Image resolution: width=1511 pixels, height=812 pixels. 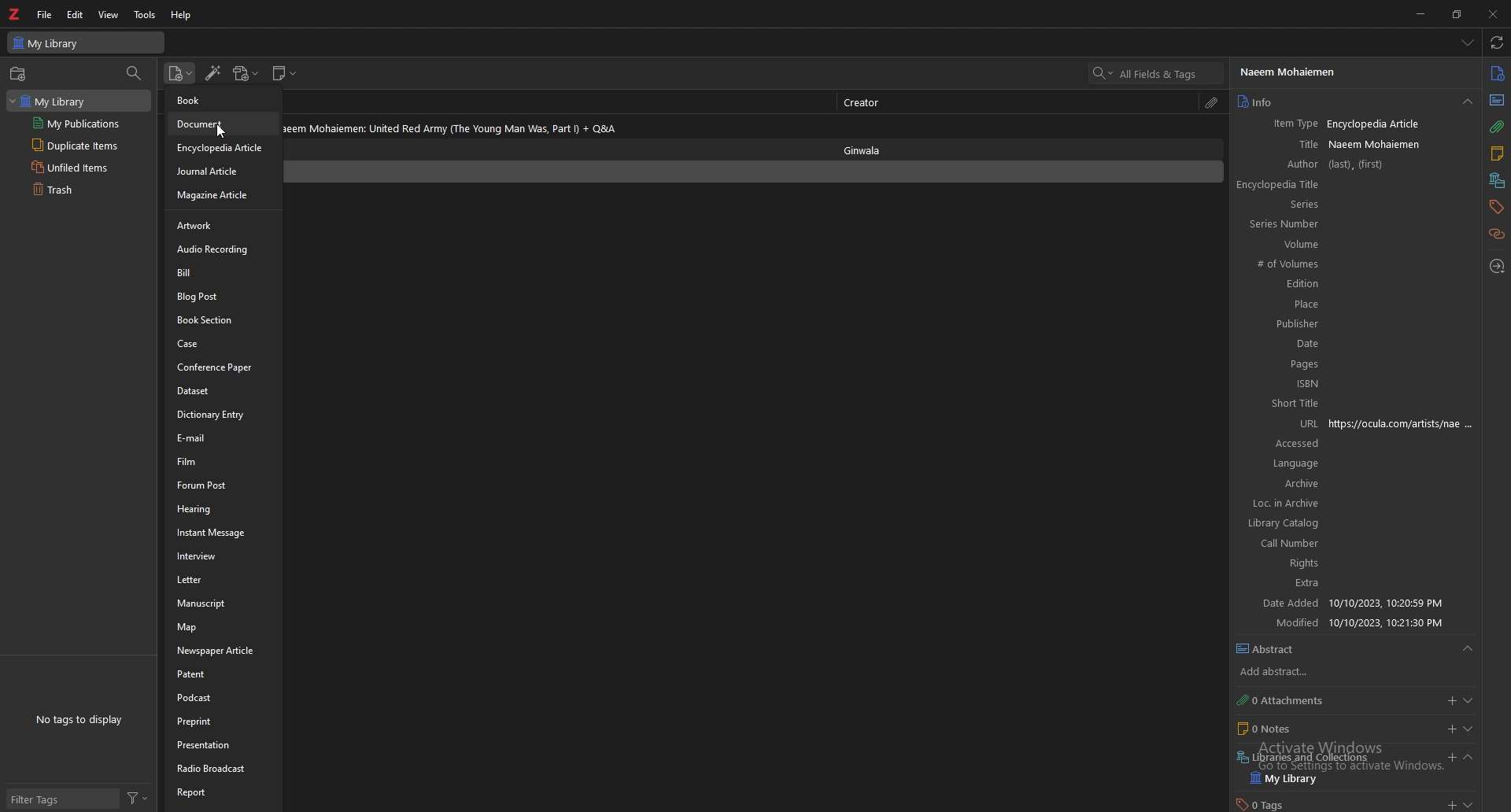 I want to click on series number, so click(x=1277, y=225).